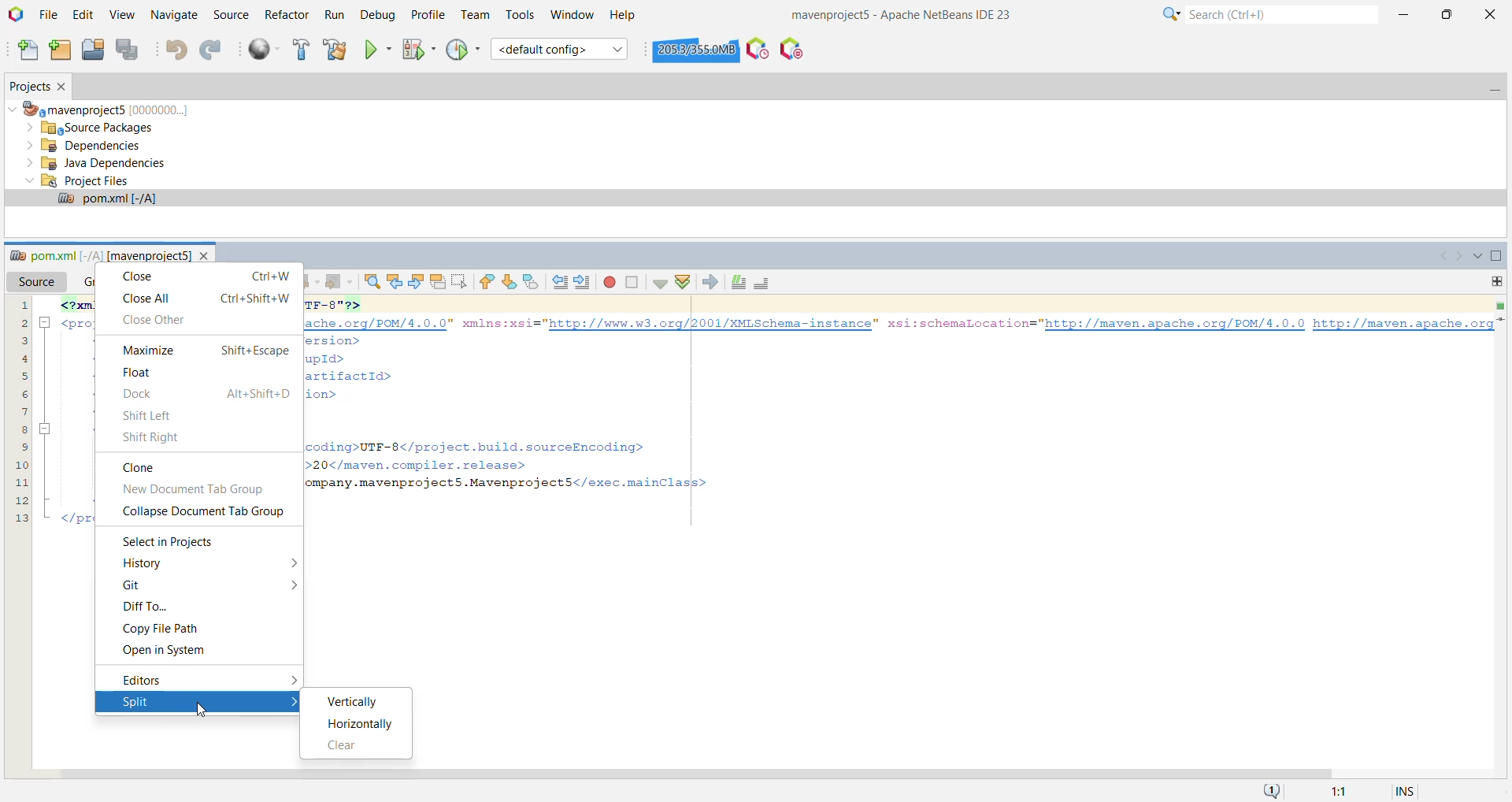  Describe the element at coordinates (20, 323) in the screenshot. I see `2` at that location.